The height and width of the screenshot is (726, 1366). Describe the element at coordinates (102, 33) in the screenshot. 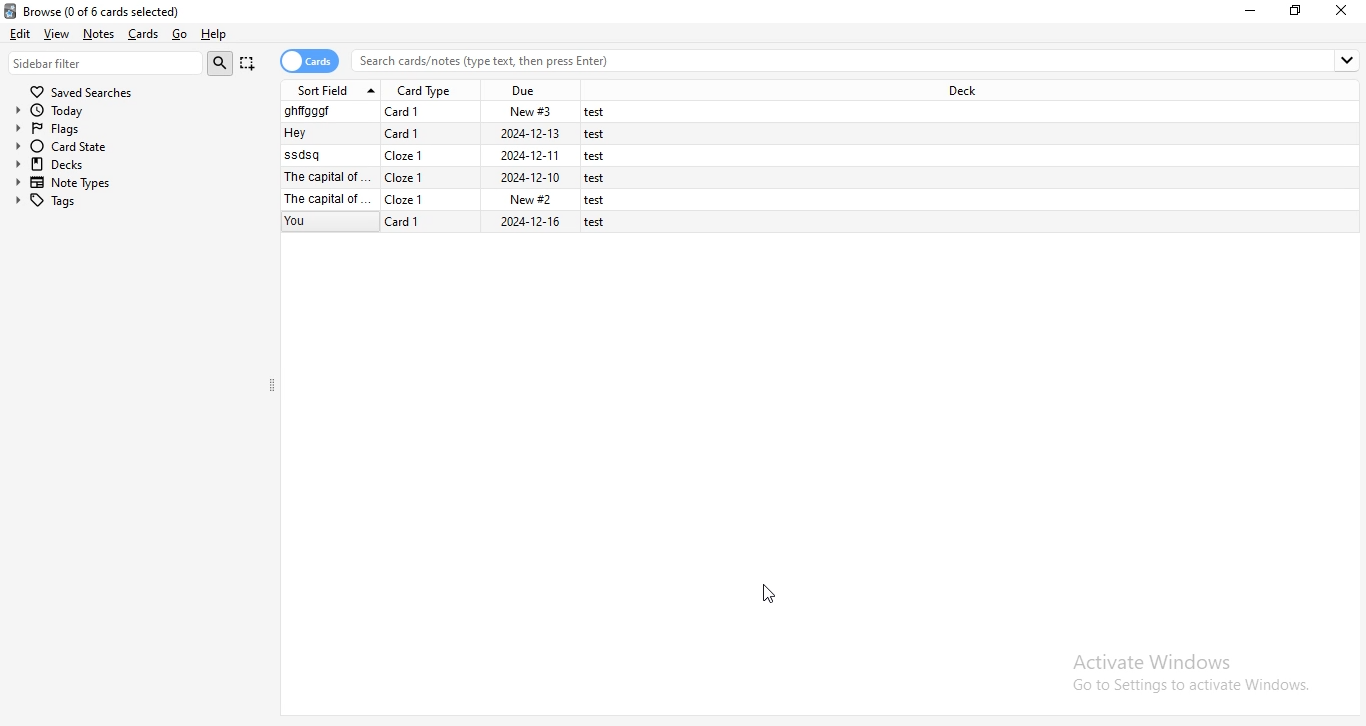

I see `notes` at that location.